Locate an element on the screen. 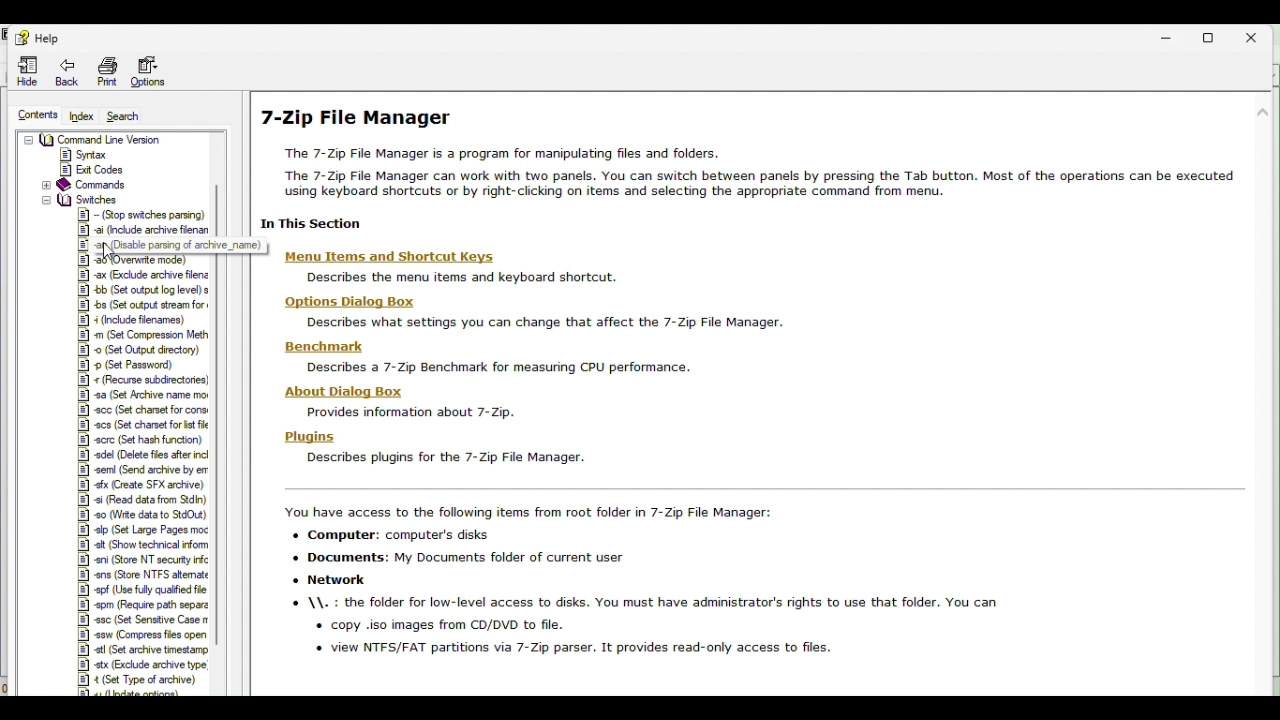 The height and width of the screenshot is (720, 1280). | In This Section is located at coordinates (305, 224).